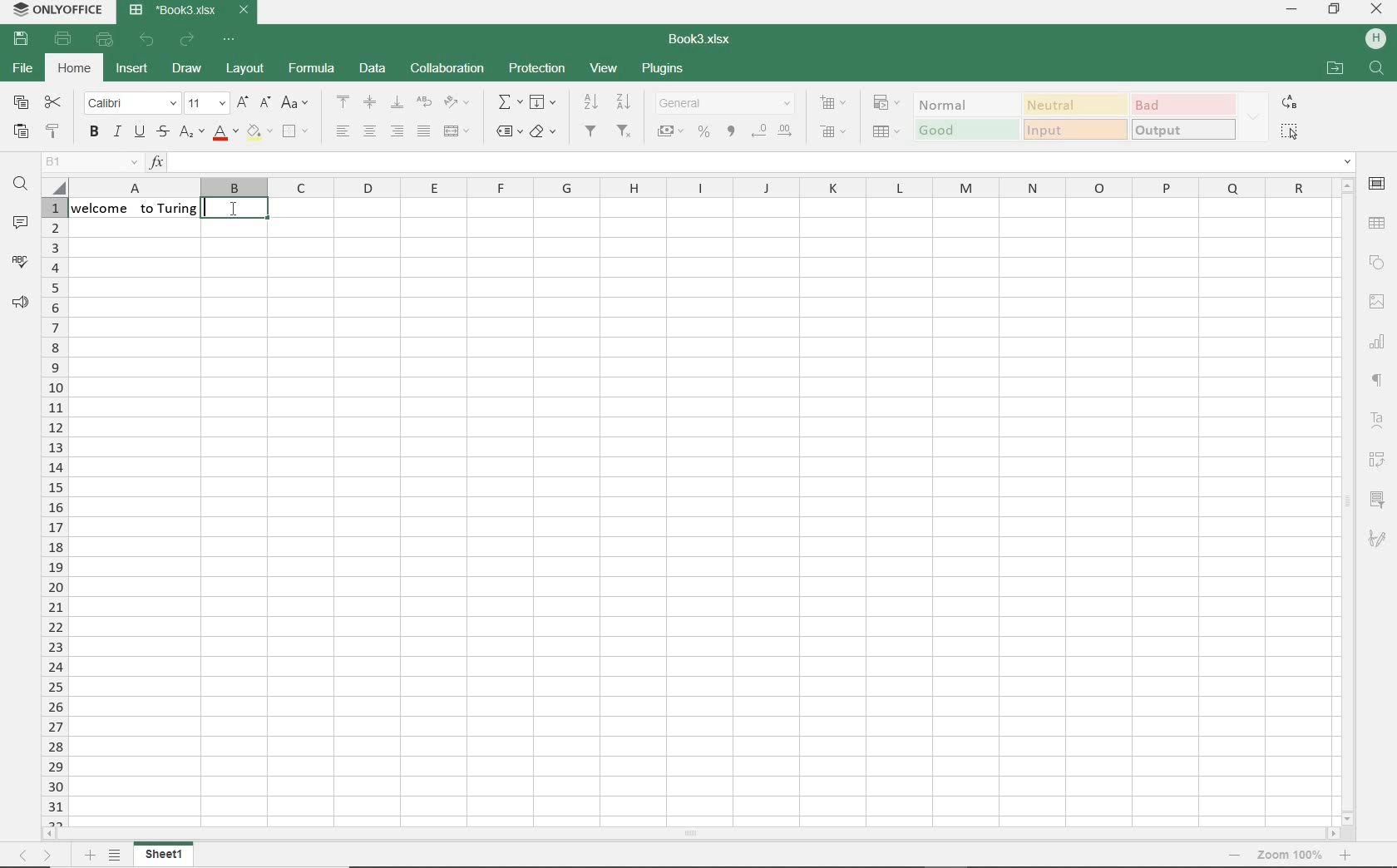 This screenshot has height=868, width=1397. What do you see at coordinates (1291, 8) in the screenshot?
I see `minimize` at bounding box center [1291, 8].